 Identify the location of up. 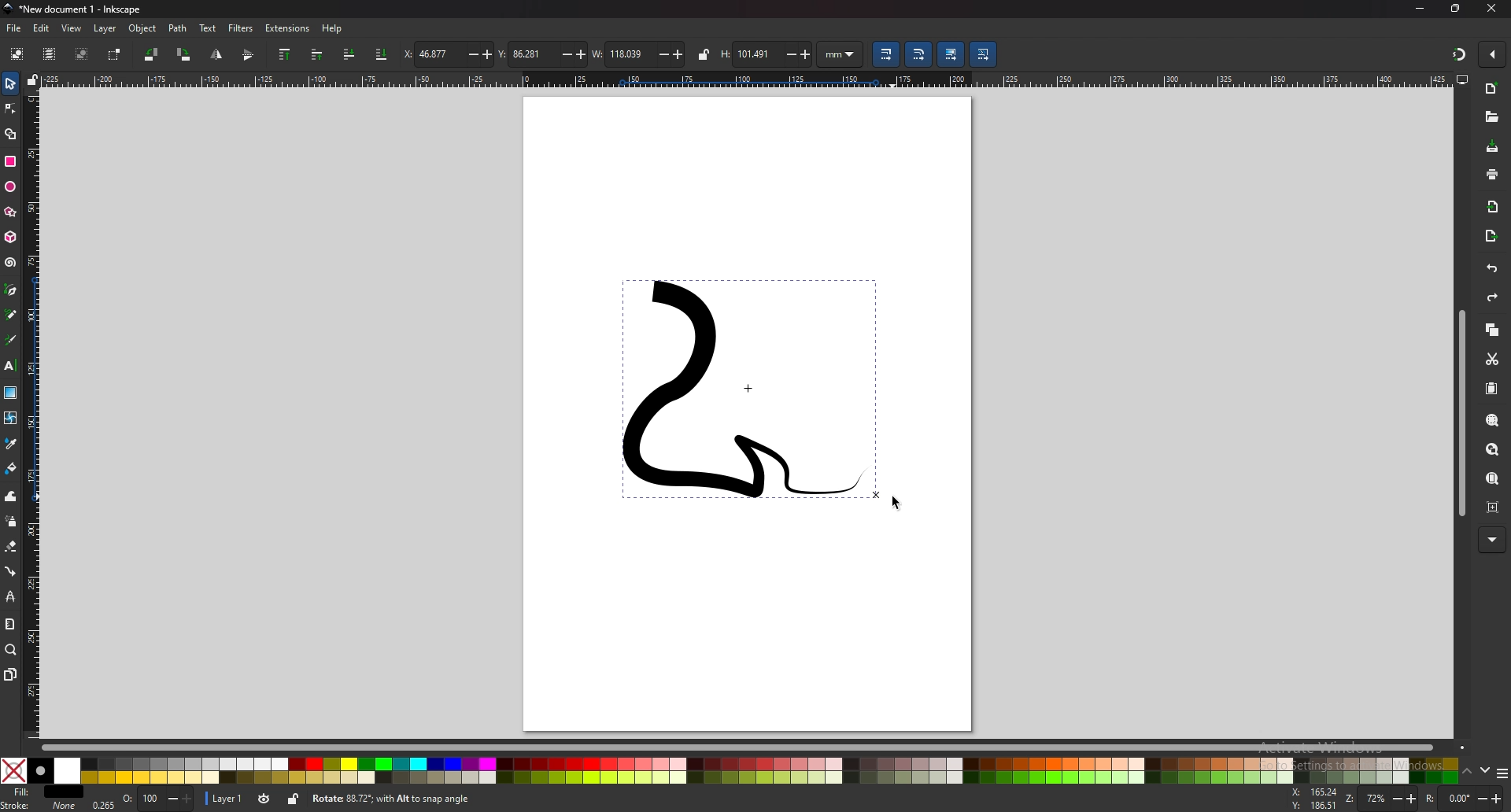
(1468, 772).